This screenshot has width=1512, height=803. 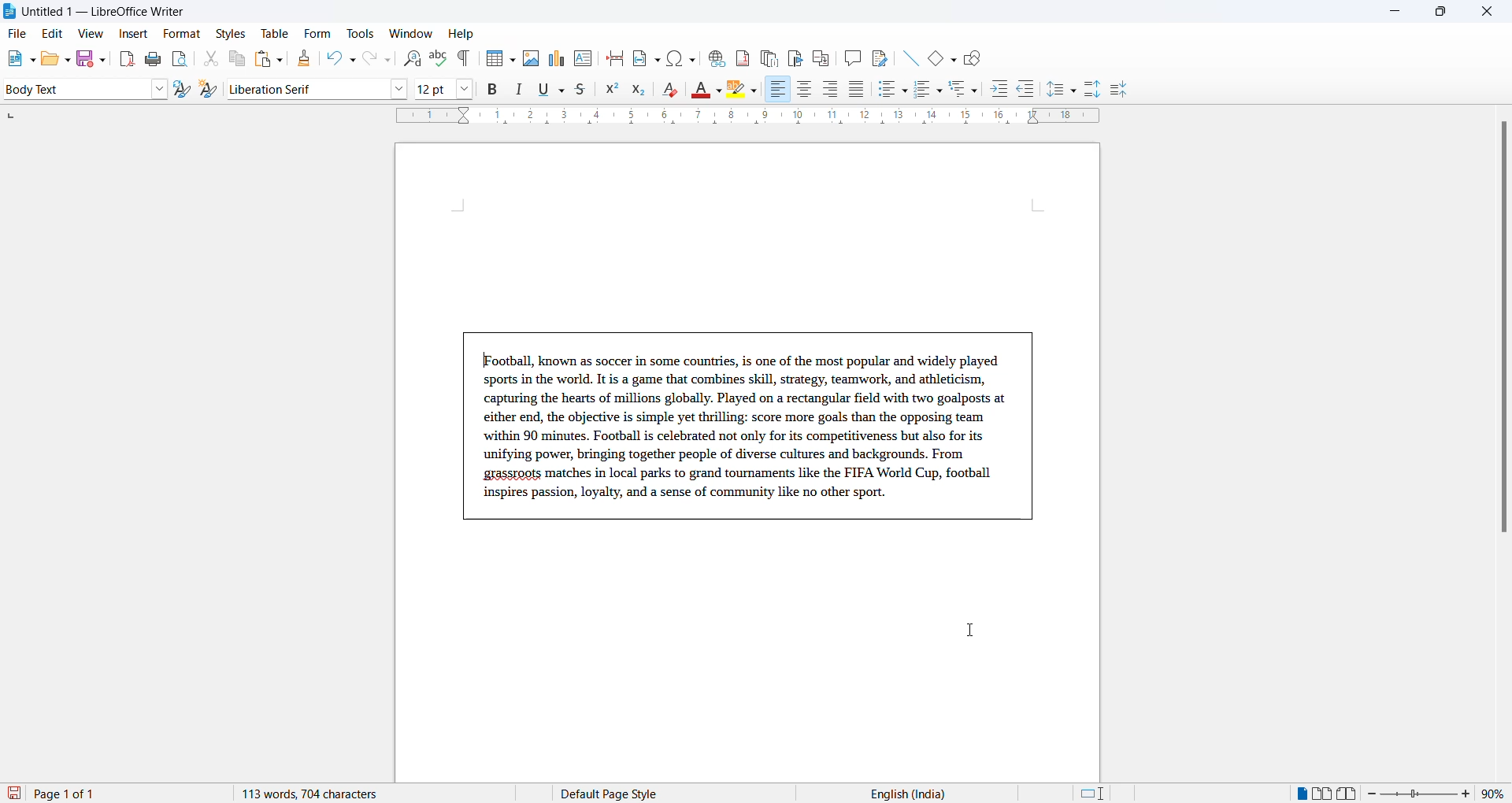 I want to click on insert image, so click(x=530, y=58).